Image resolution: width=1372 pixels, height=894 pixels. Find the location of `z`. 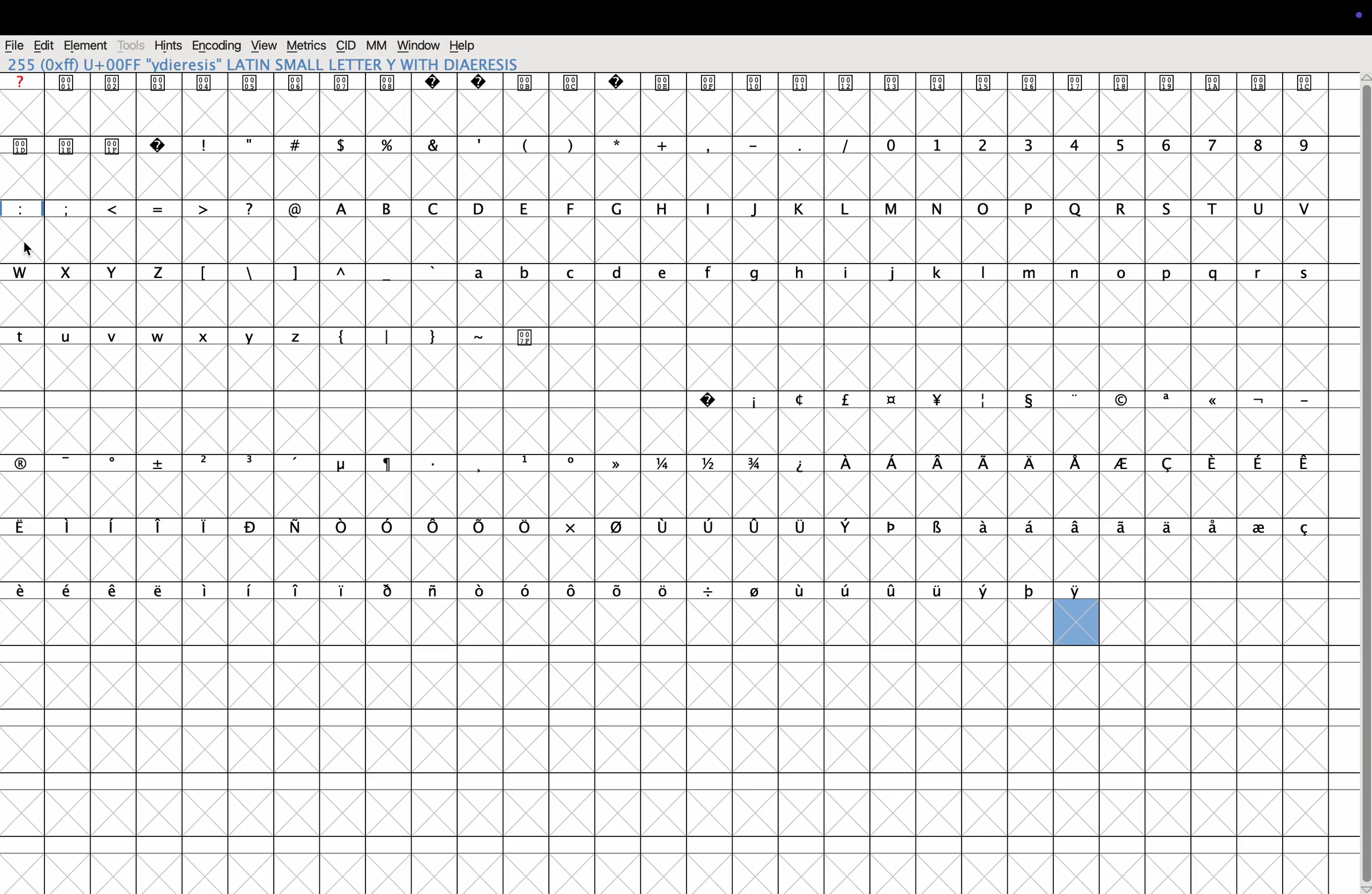

z is located at coordinates (298, 356).